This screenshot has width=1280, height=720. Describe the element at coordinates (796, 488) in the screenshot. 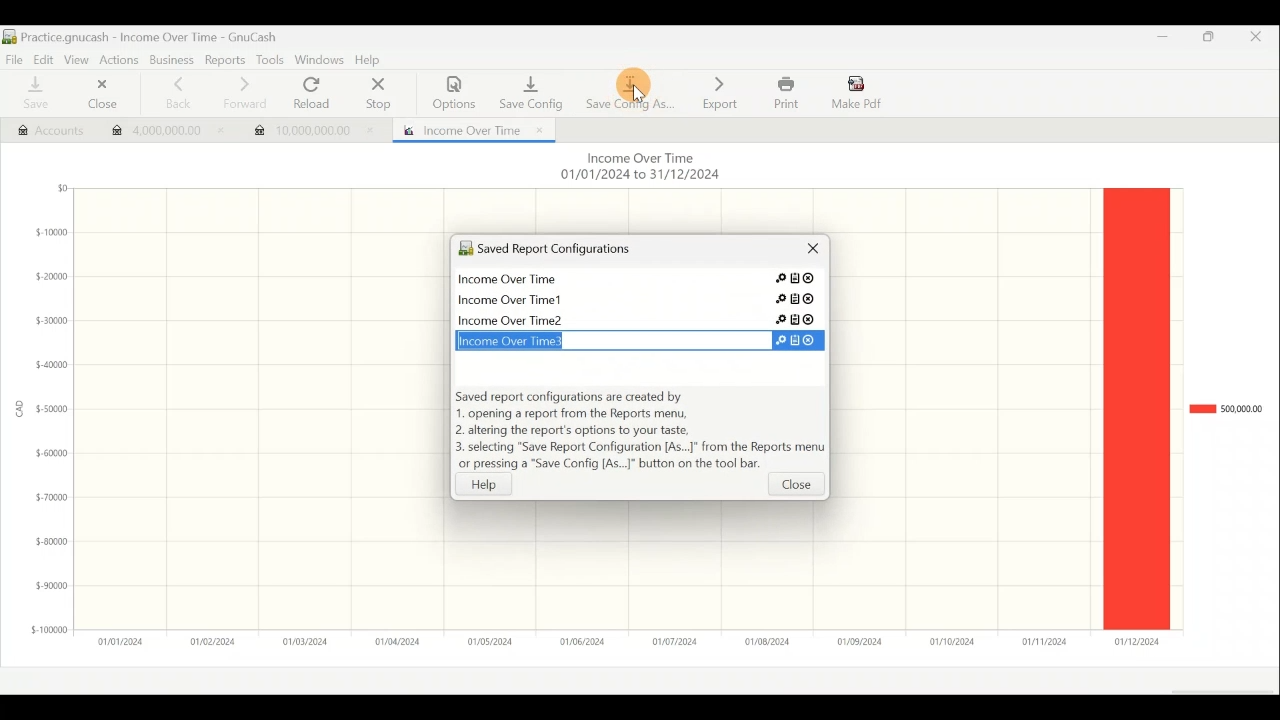

I see `Close` at that location.